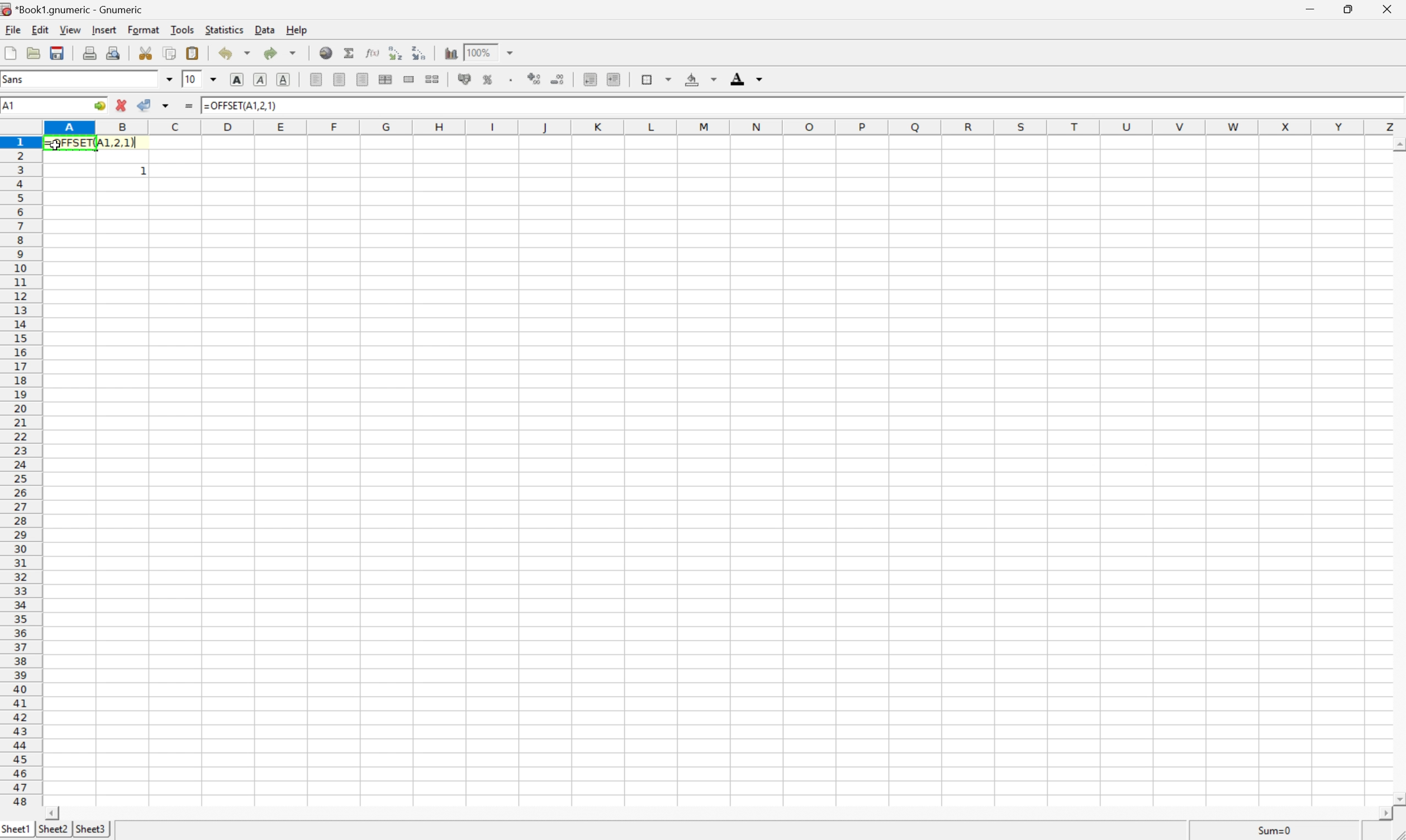 Image resolution: width=1406 pixels, height=840 pixels. Describe the element at coordinates (32, 54) in the screenshot. I see `open a file` at that location.